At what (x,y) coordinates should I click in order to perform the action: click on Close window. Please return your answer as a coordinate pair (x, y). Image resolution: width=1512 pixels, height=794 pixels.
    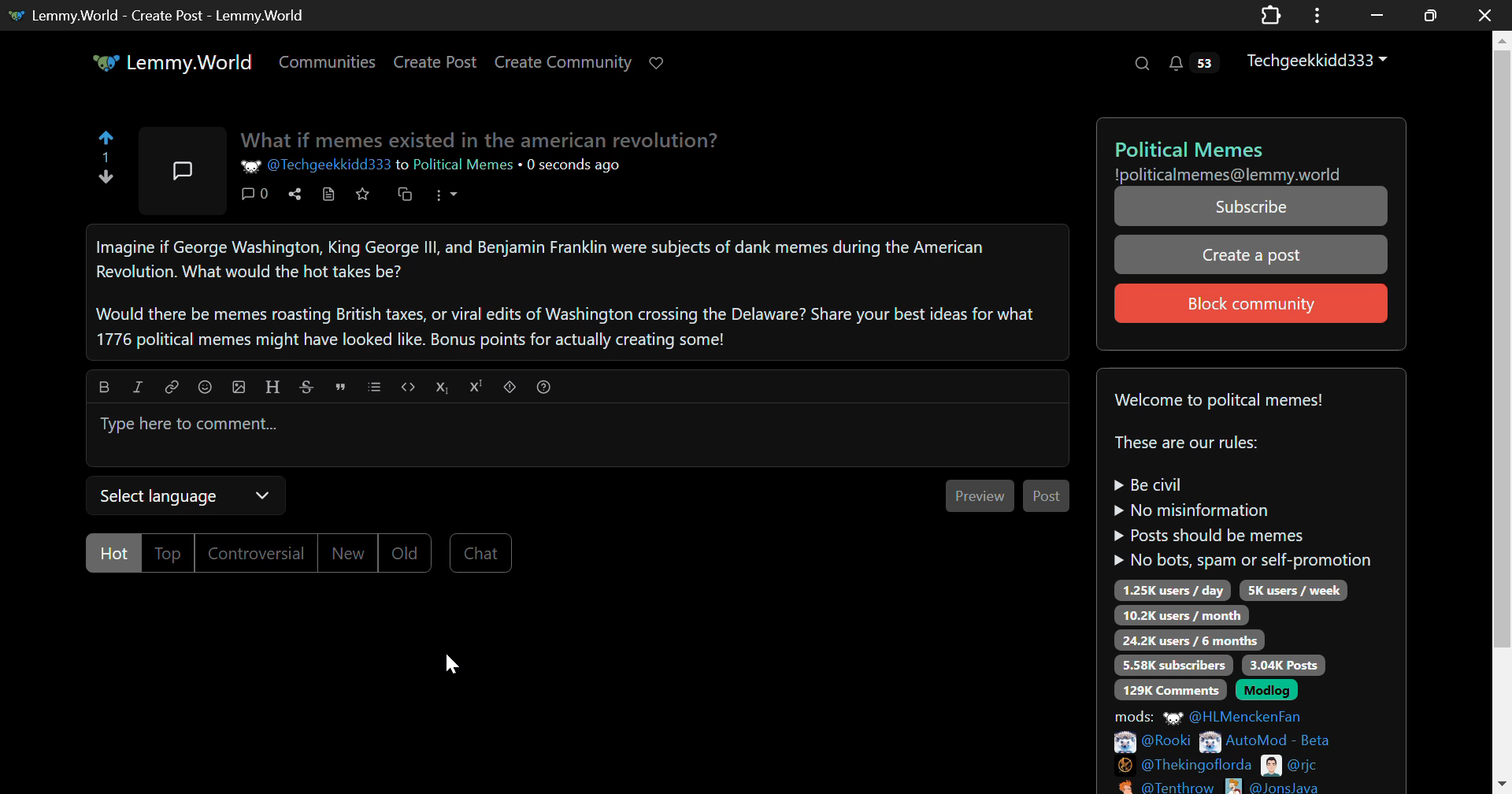
    Looking at the image, I should click on (1487, 14).